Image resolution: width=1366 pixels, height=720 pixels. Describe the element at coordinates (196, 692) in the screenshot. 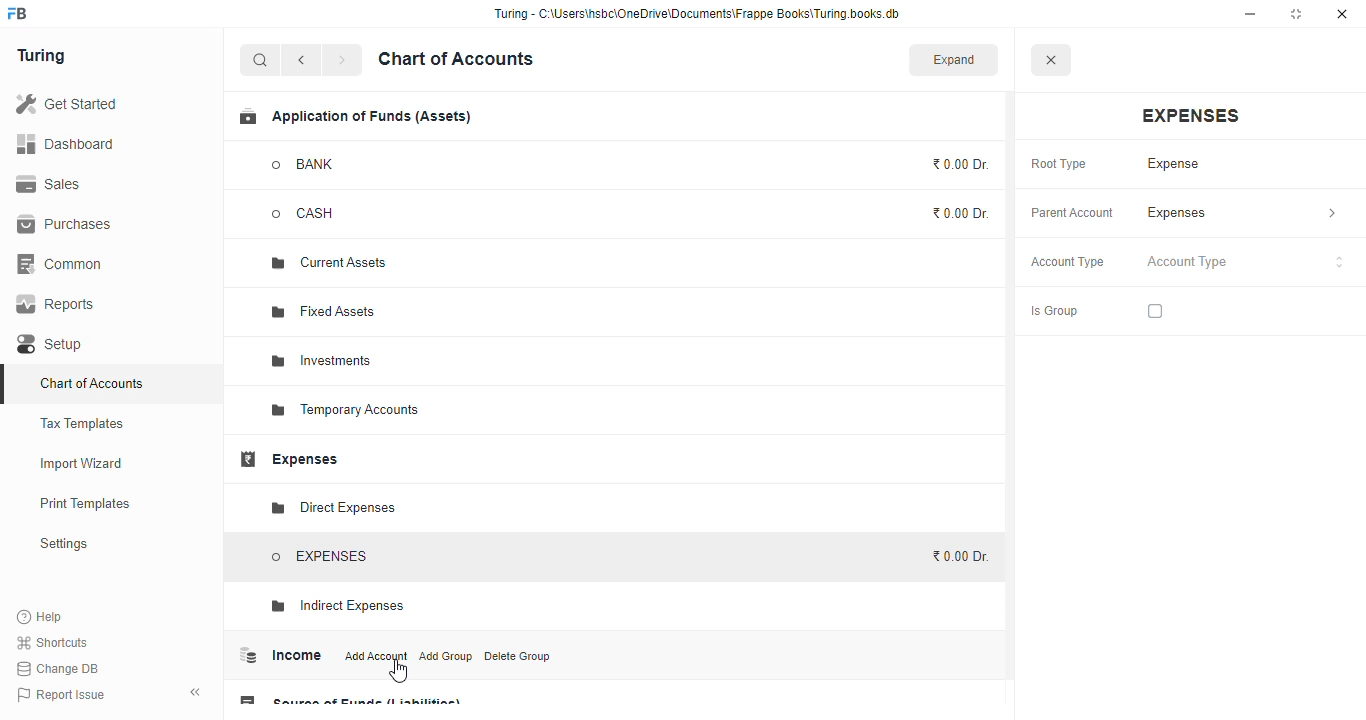

I see `toggle sidebar` at that location.